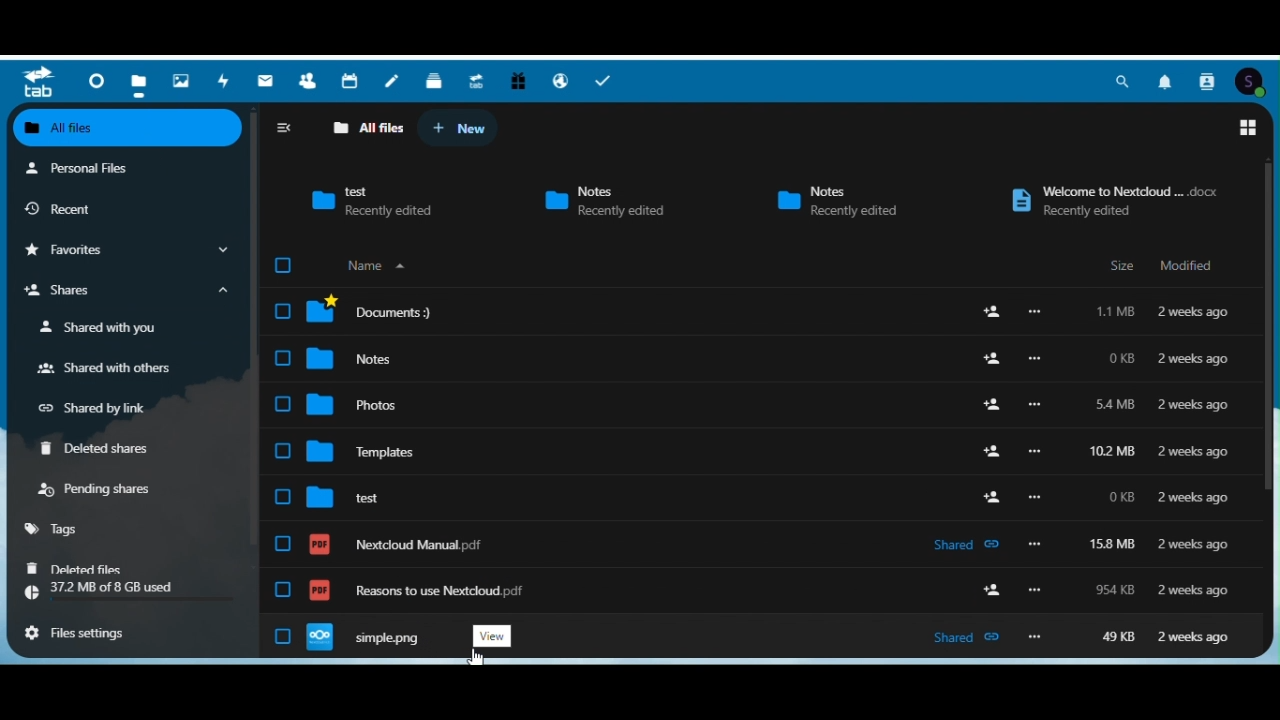  I want to click on options, so click(1036, 543).